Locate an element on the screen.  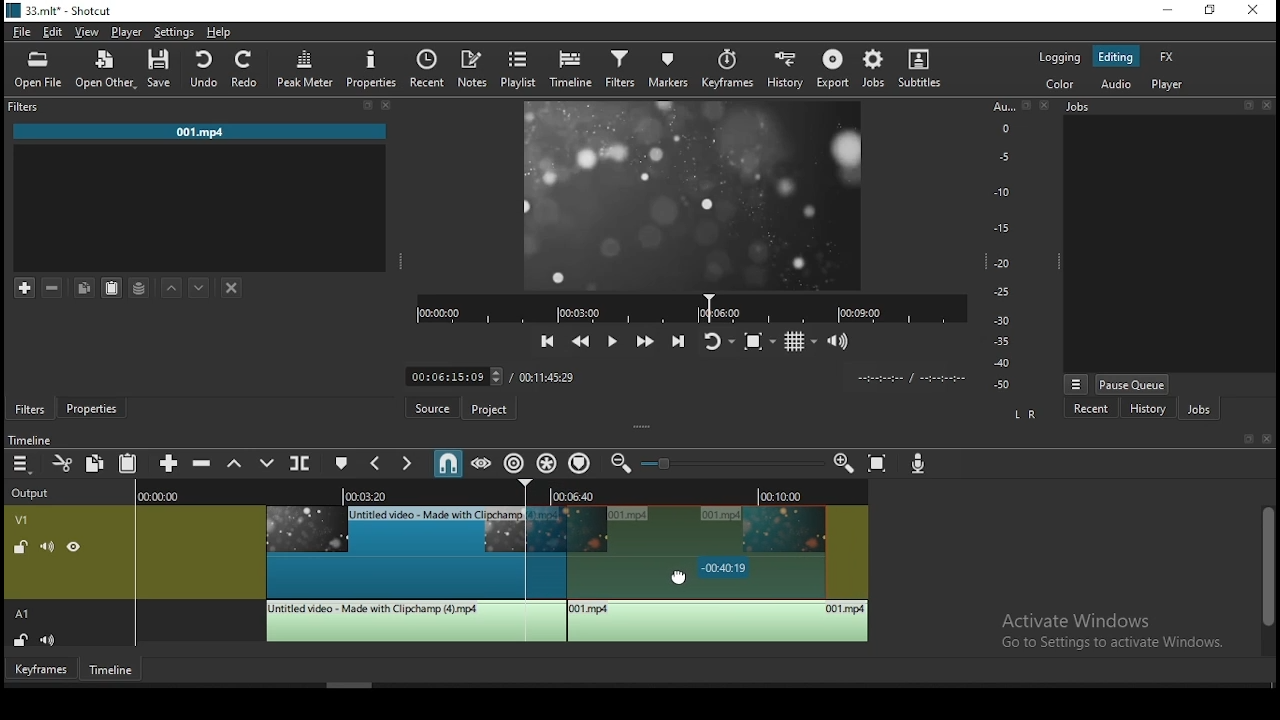
source is located at coordinates (423, 409).